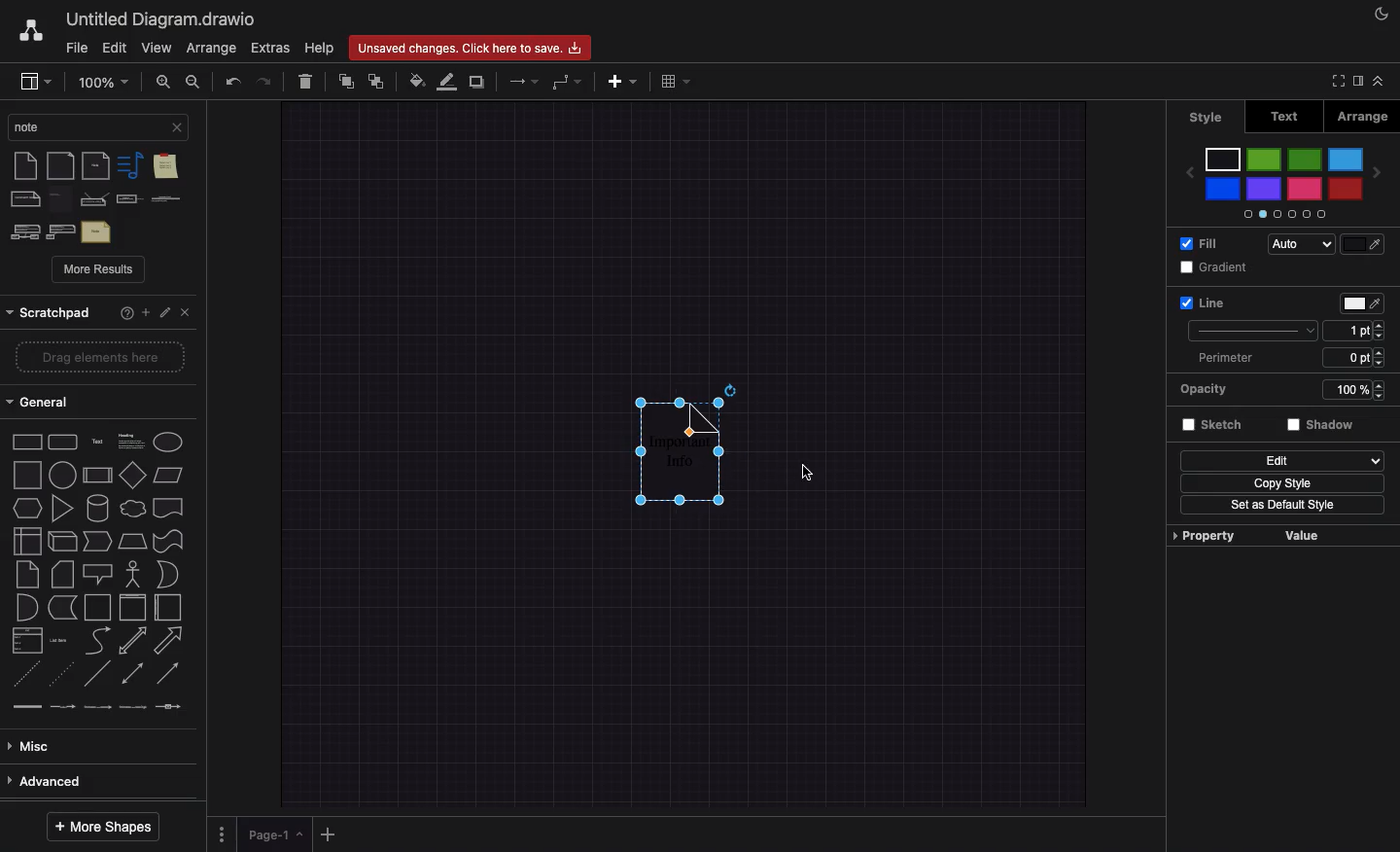  I want to click on list, so click(27, 643).